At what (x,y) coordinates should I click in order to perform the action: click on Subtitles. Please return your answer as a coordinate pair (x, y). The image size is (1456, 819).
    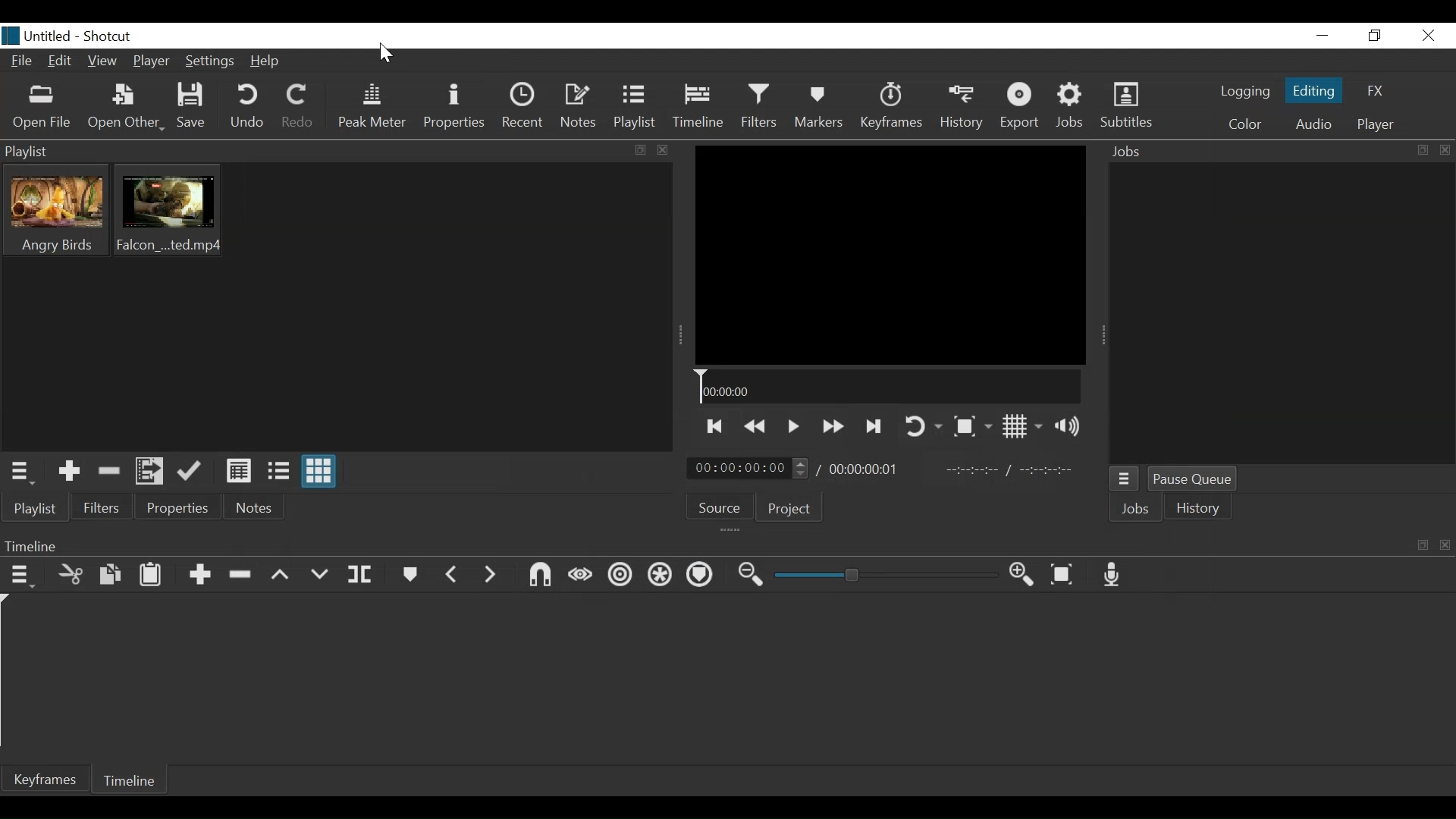
    Looking at the image, I should click on (1126, 106).